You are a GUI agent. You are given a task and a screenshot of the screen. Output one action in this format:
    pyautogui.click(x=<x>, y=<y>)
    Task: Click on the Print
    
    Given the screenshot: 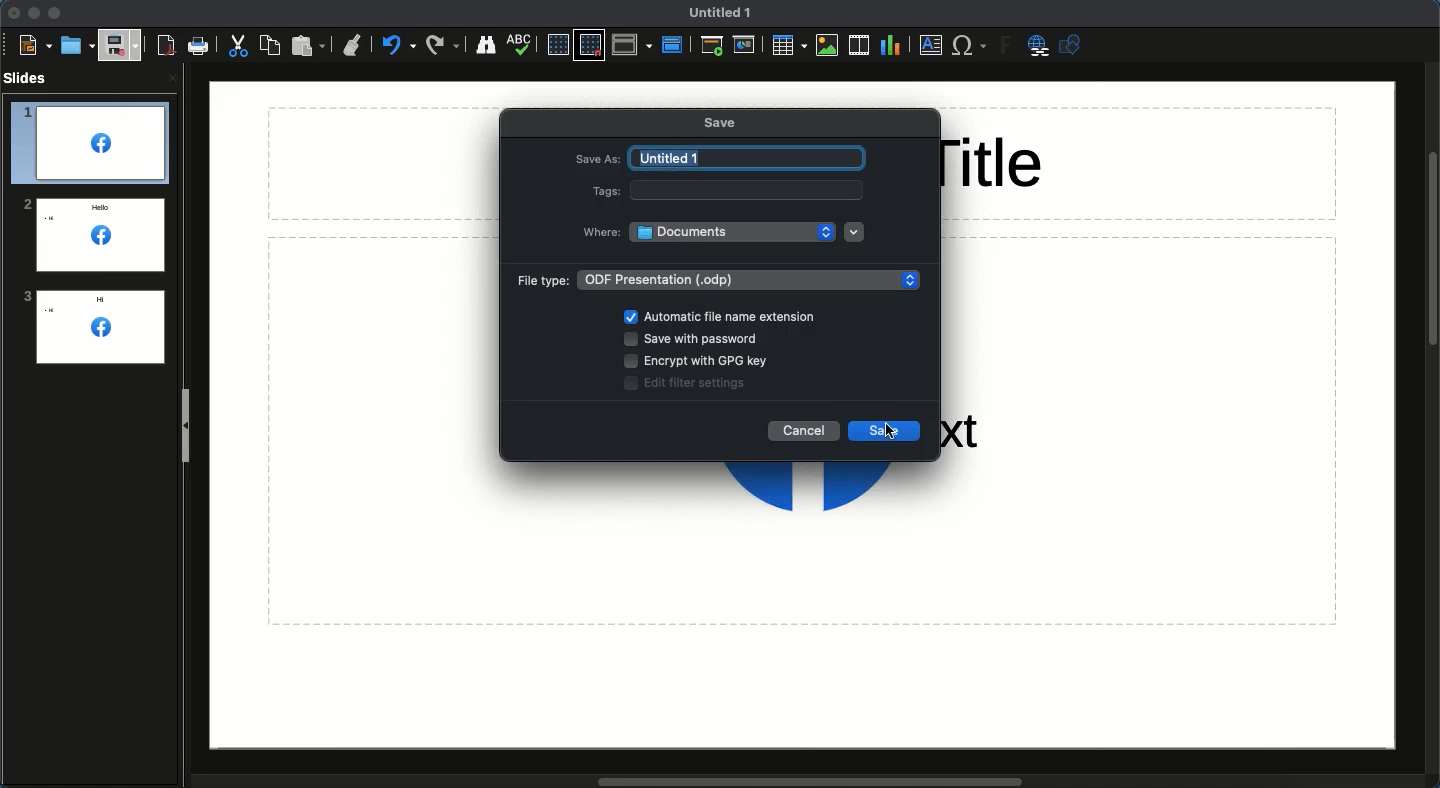 What is the action you would take?
    pyautogui.click(x=199, y=46)
    